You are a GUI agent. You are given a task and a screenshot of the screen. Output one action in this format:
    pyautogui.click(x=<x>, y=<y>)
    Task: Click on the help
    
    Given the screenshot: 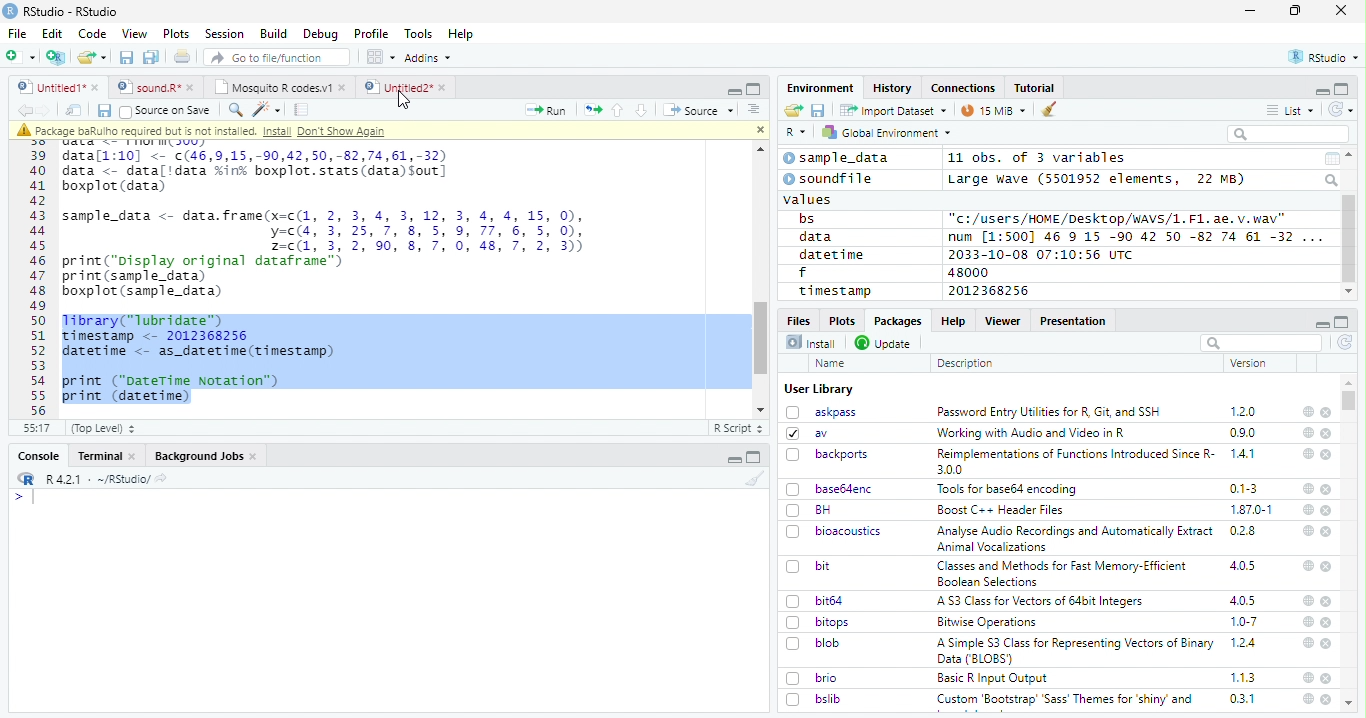 What is the action you would take?
    pyautogui.click(x=1308, y=489)
    